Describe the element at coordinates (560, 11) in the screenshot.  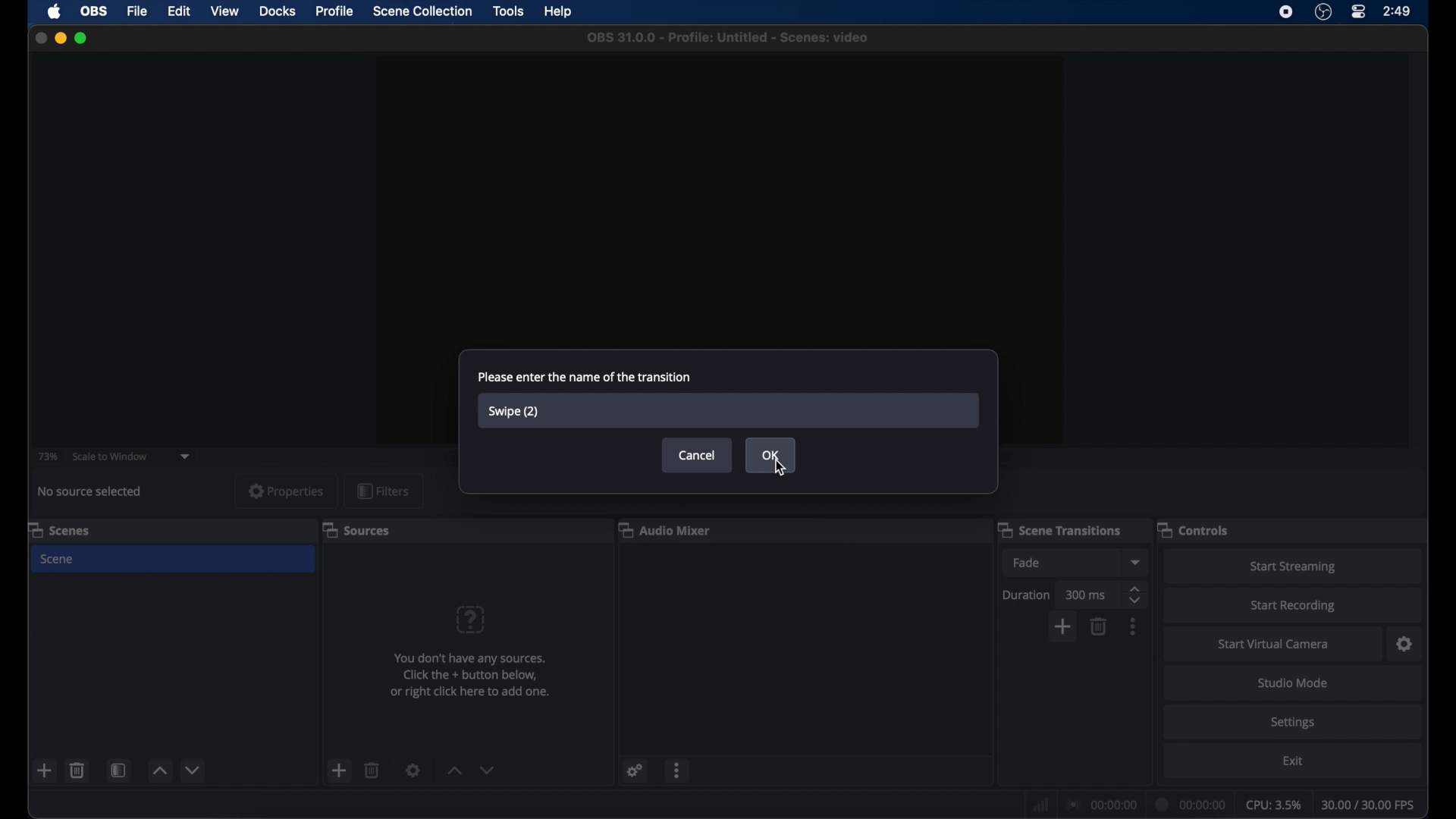
I see `help` at that location.